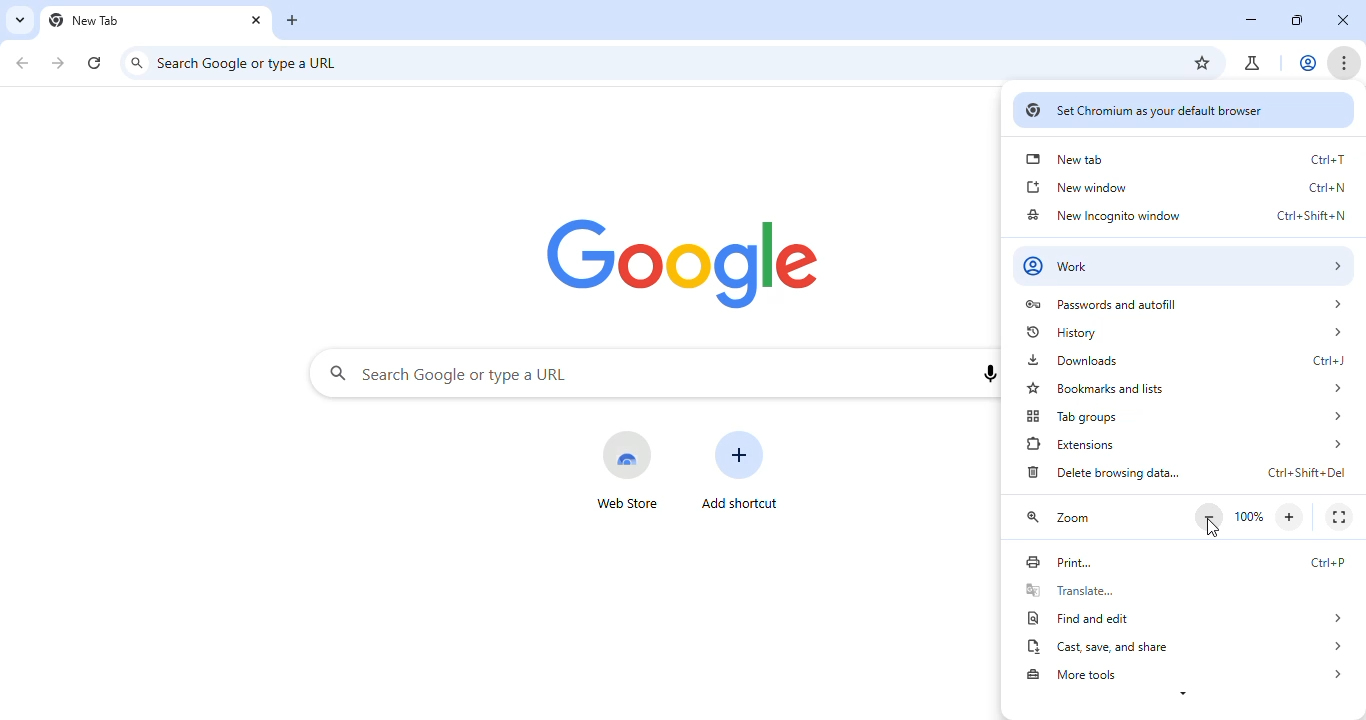 This screenshot has height=720, width=1366. I want to click on add shortcut, so click(740, 470).